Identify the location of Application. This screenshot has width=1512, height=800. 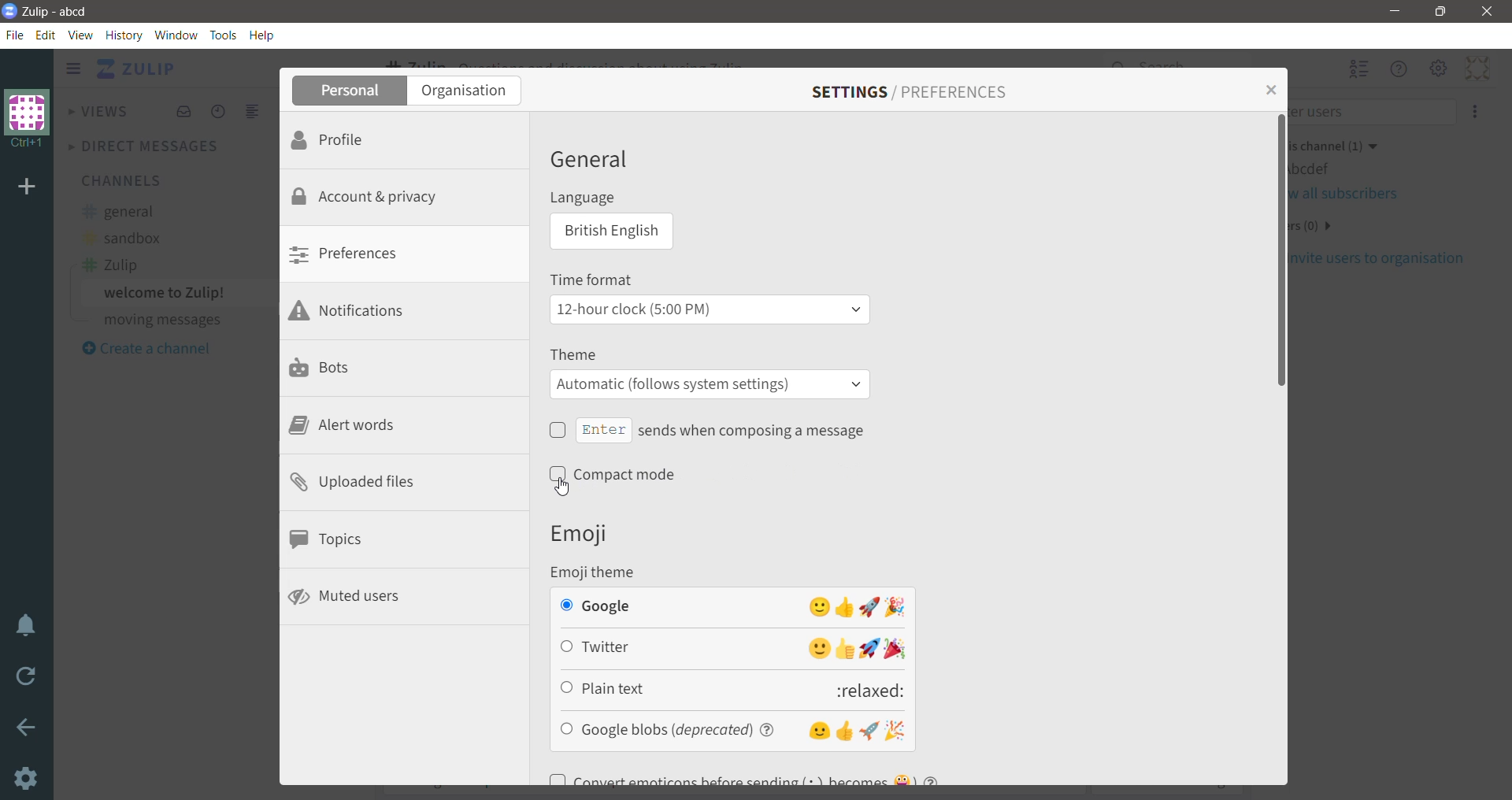
(139, 70).